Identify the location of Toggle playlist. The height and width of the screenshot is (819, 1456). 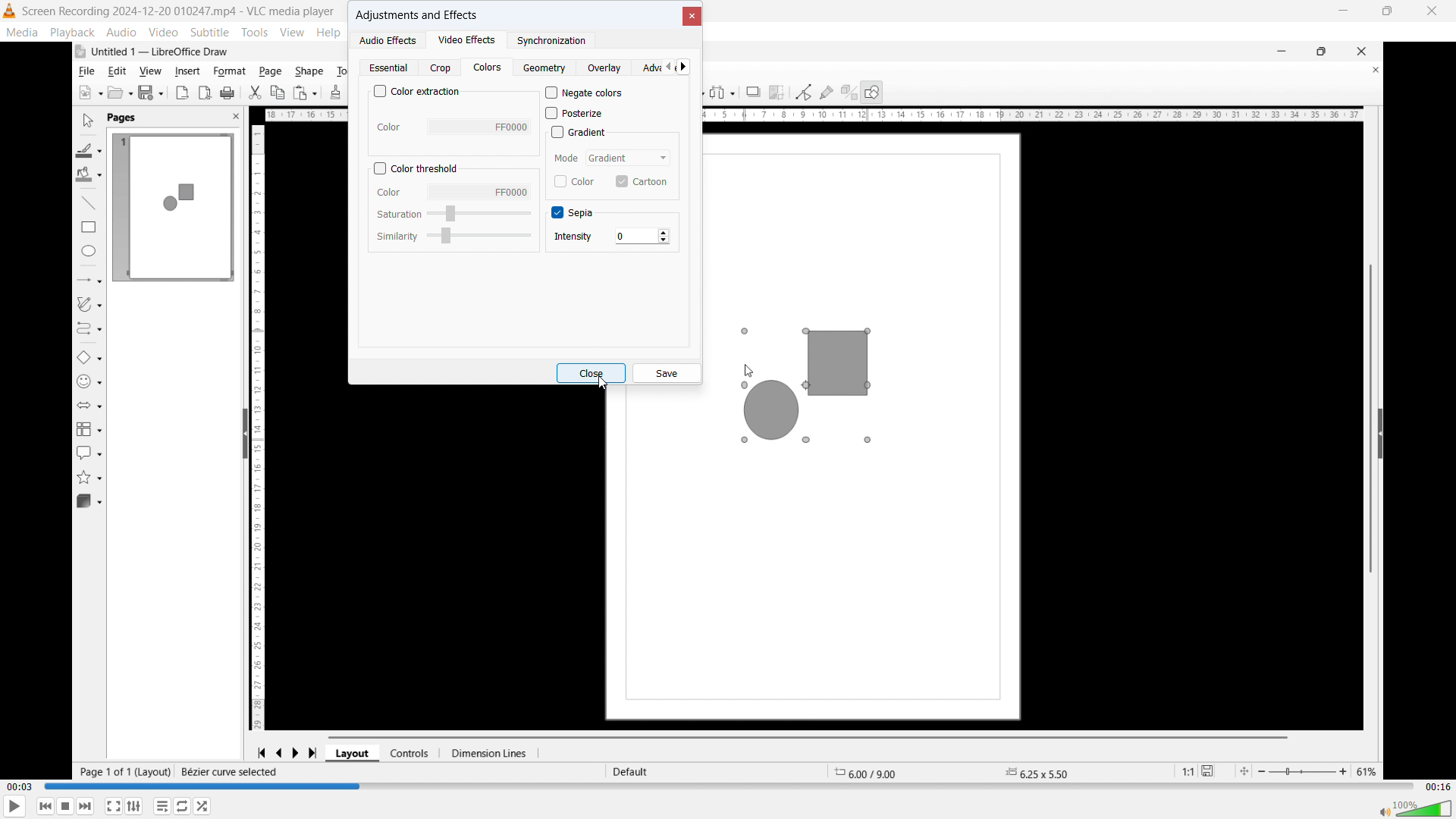
(162, 806).